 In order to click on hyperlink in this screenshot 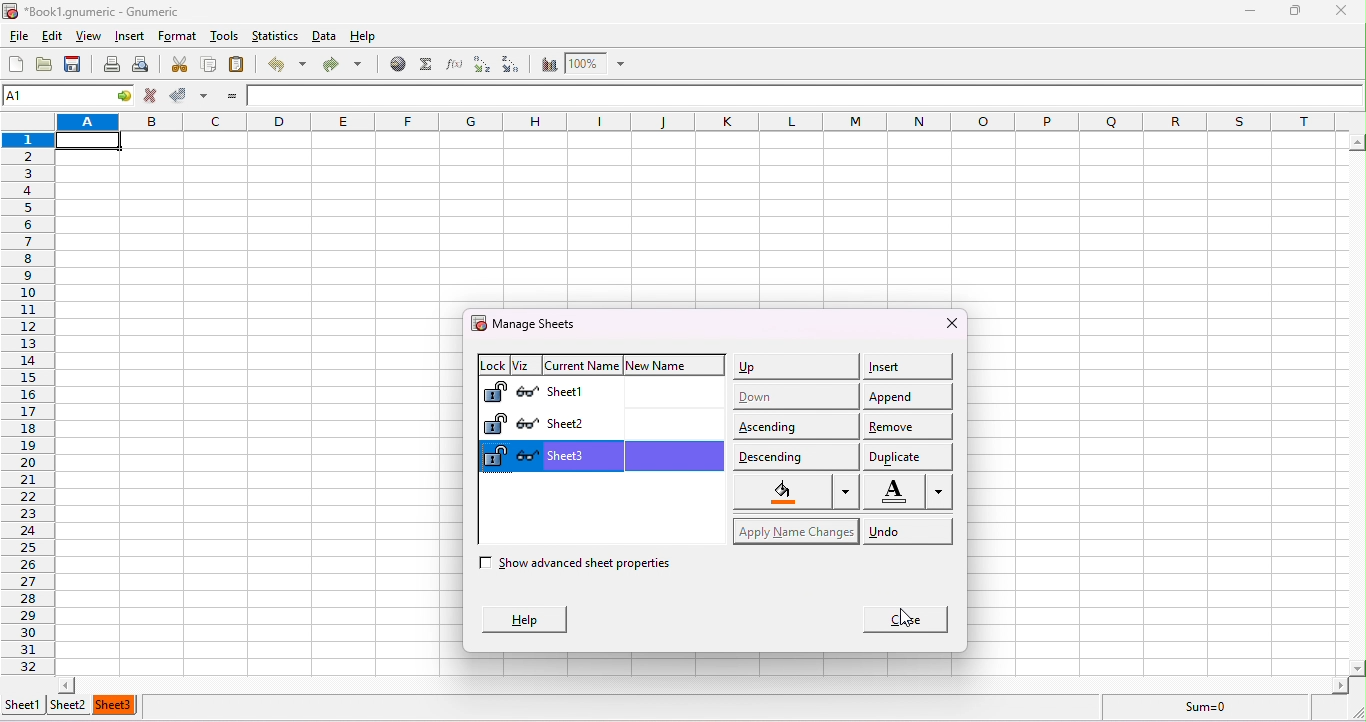, I will do `click(395, 65)`.